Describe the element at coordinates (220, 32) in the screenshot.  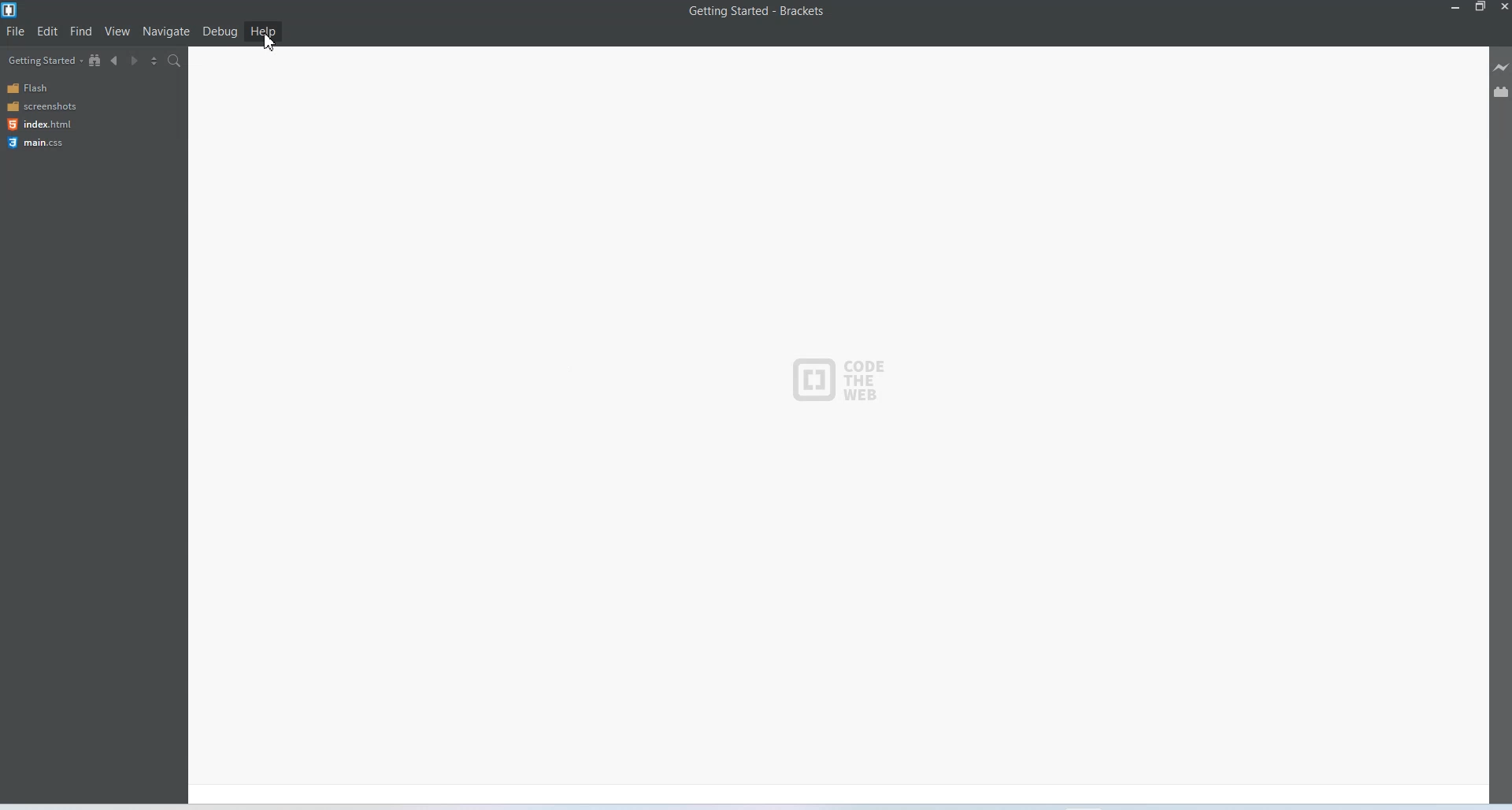
I see `Debug` at that location.